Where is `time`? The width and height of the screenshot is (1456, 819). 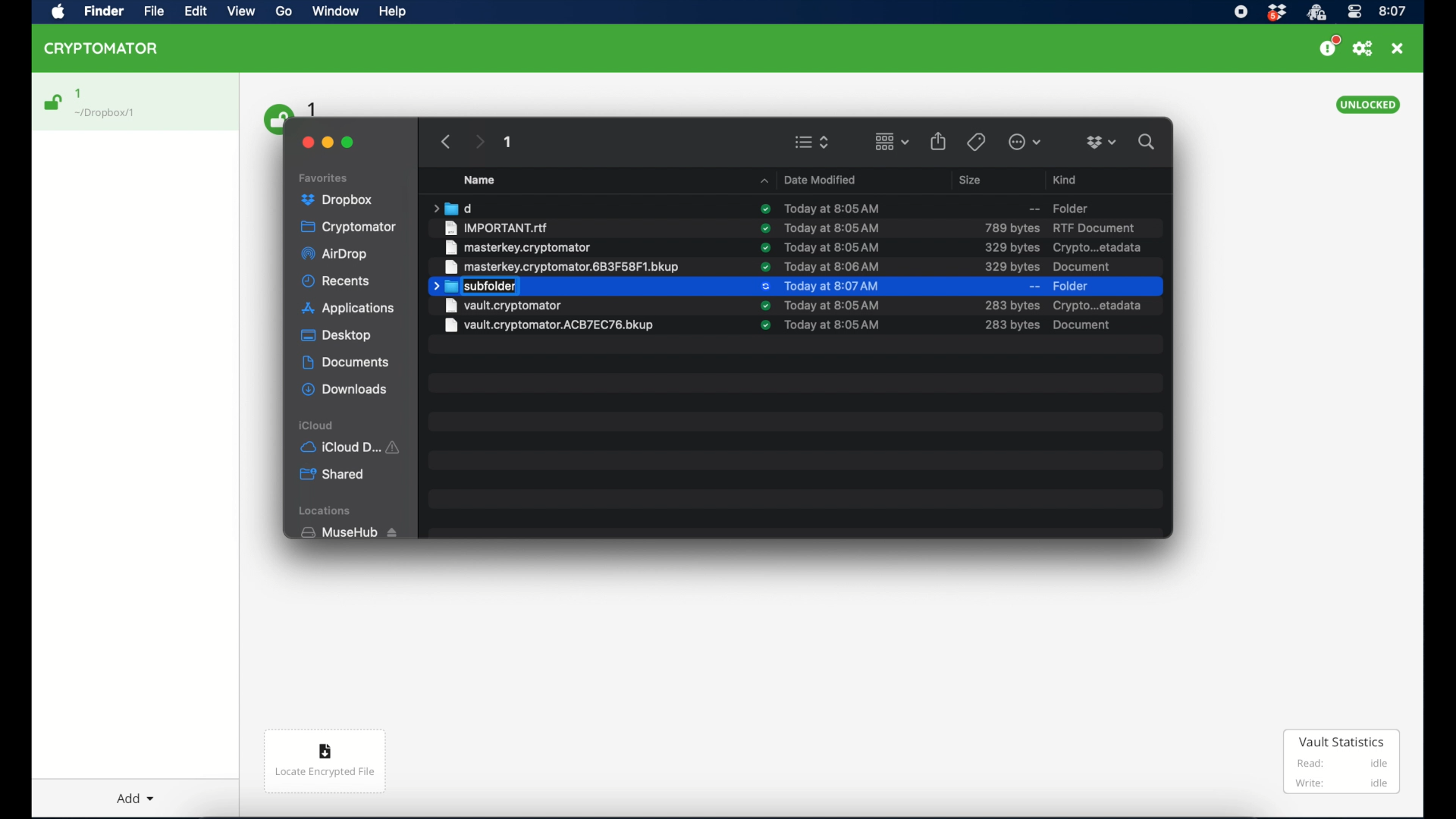 time is located at coordinates (1393, 11).